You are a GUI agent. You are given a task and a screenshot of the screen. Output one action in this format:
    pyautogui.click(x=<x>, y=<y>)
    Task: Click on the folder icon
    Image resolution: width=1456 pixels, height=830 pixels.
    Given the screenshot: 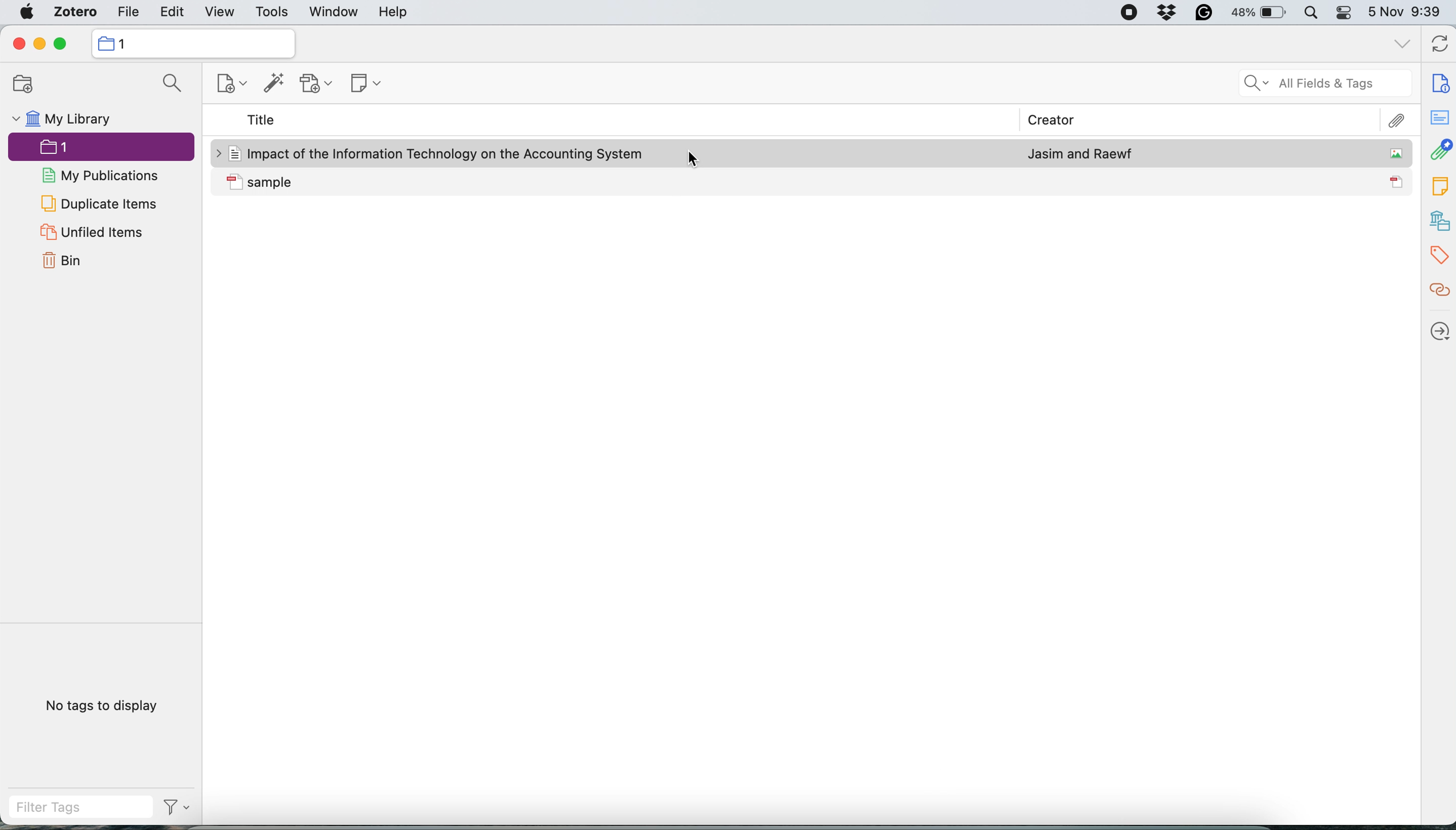 What is the action you would take?
    pyautogui.click(x=105, y=43)
    